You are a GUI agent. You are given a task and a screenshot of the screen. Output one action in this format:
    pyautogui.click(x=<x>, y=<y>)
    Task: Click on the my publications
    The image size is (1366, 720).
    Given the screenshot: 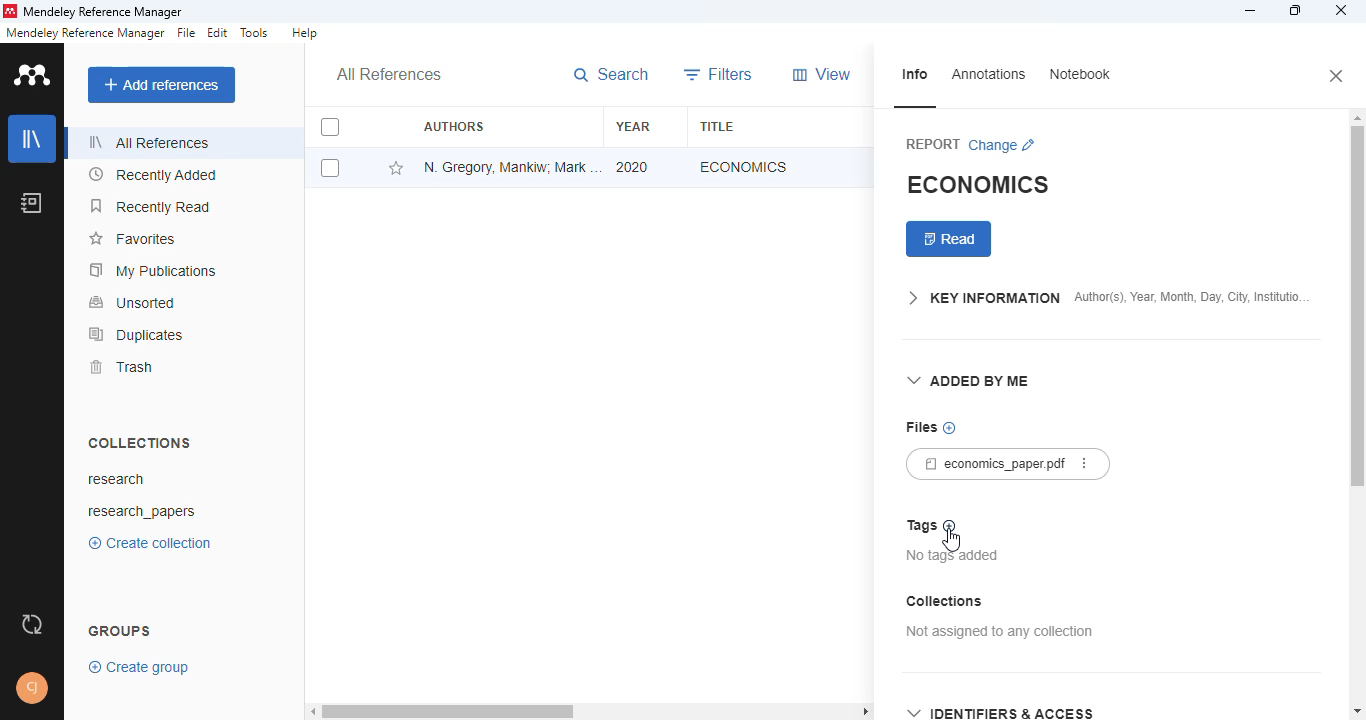 What is the action you would take?
    pyautogui.click(x=153, y=271)
    